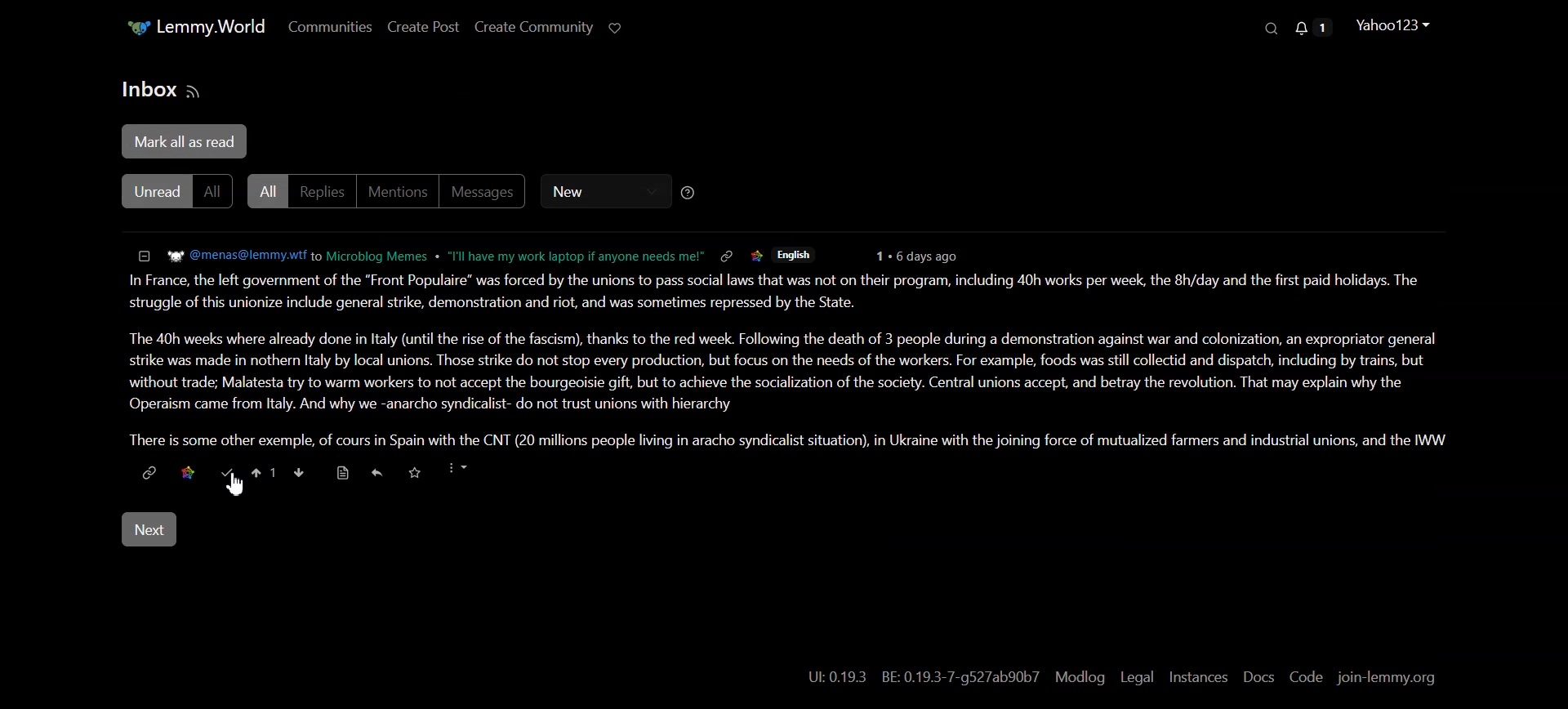 Image resolution: width=1568 pixels, height=709 pixels. Describe the element at coordinates (458, 468) in the screenshot. I see `More` at that location.